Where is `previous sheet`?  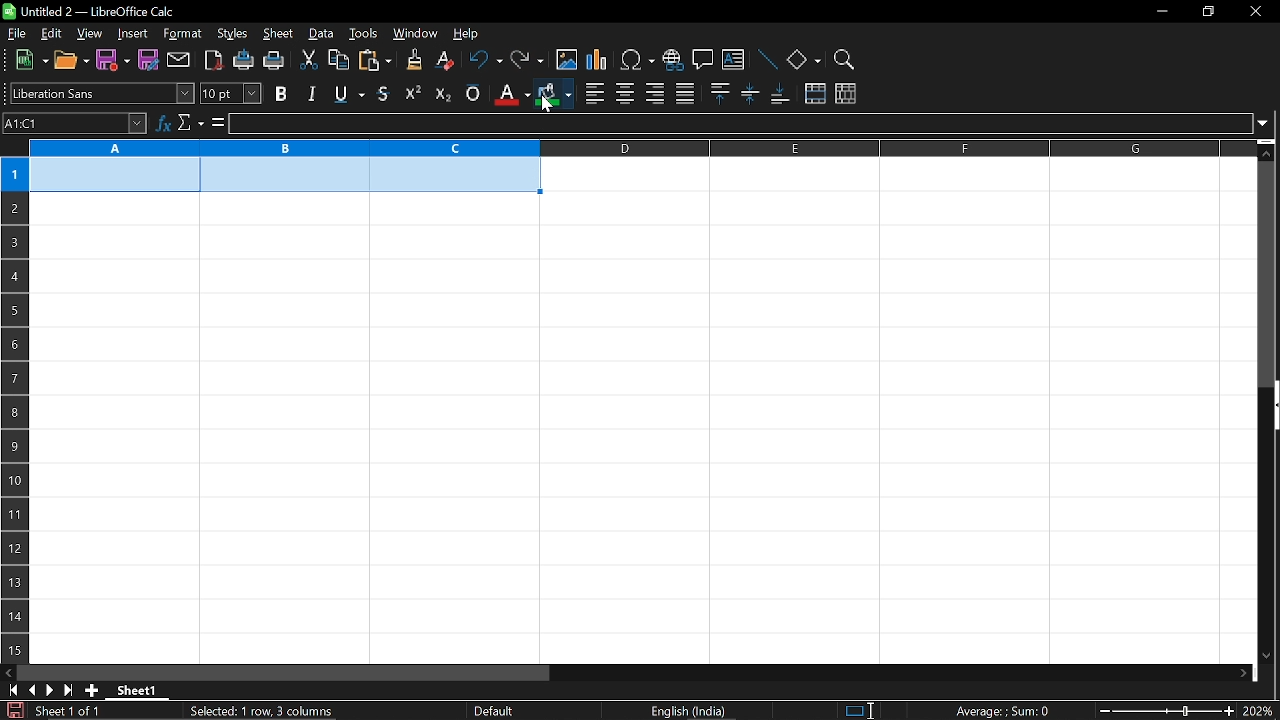 previous sheet is located at coordinates (30, 690).